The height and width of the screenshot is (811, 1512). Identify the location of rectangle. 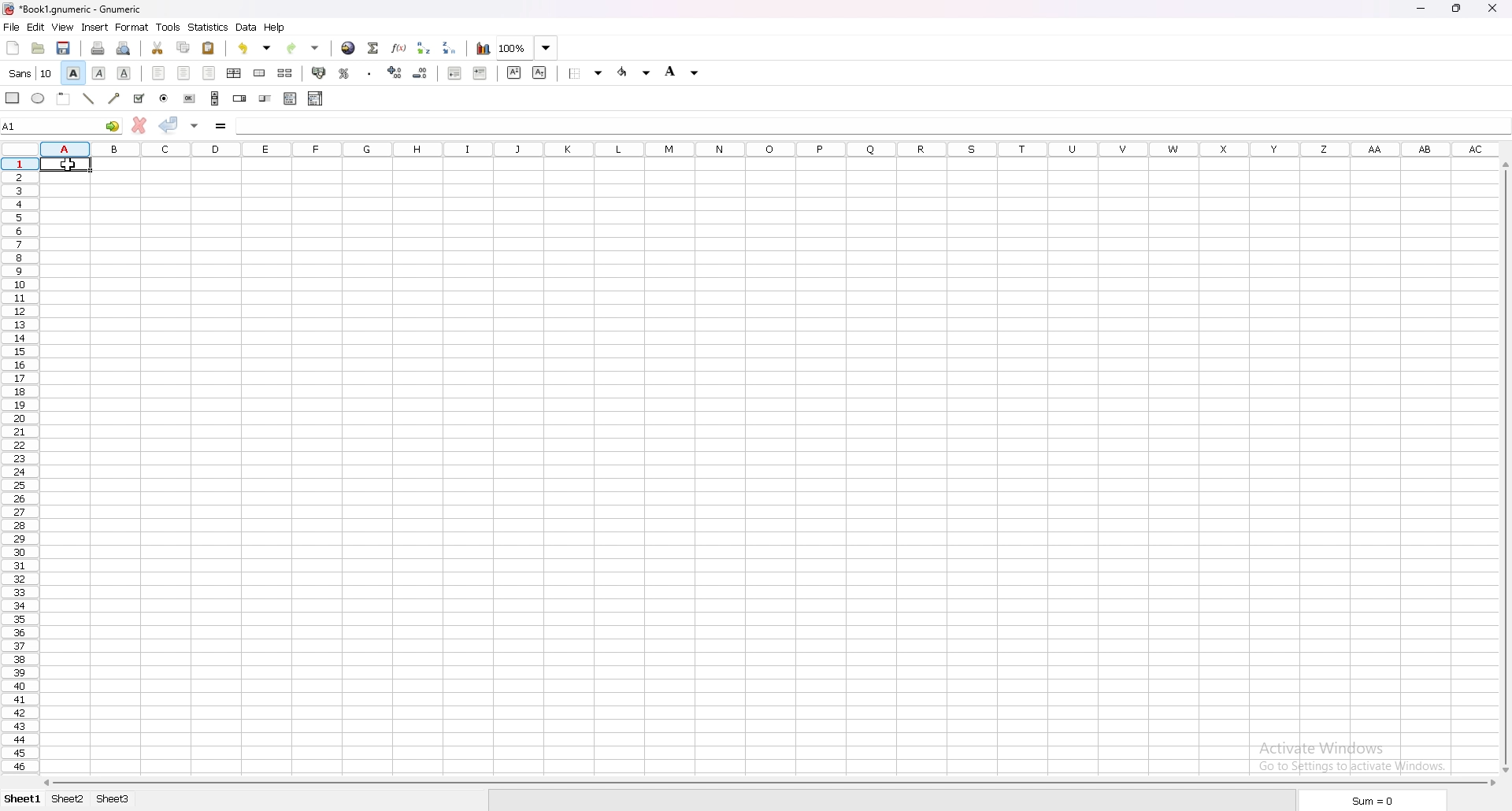
(13, 98).